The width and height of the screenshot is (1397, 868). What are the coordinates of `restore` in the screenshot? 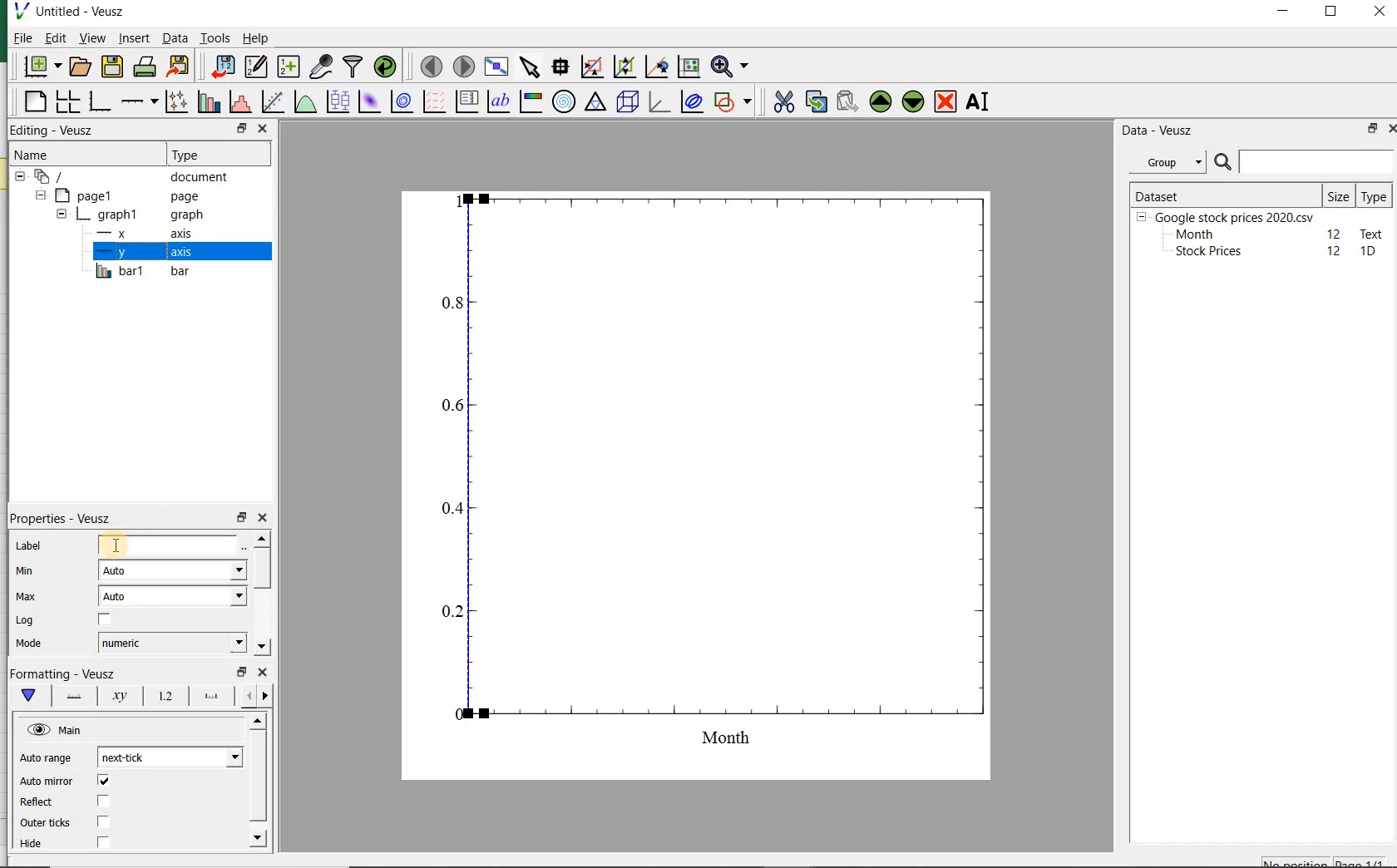 It's located at (243, 518).